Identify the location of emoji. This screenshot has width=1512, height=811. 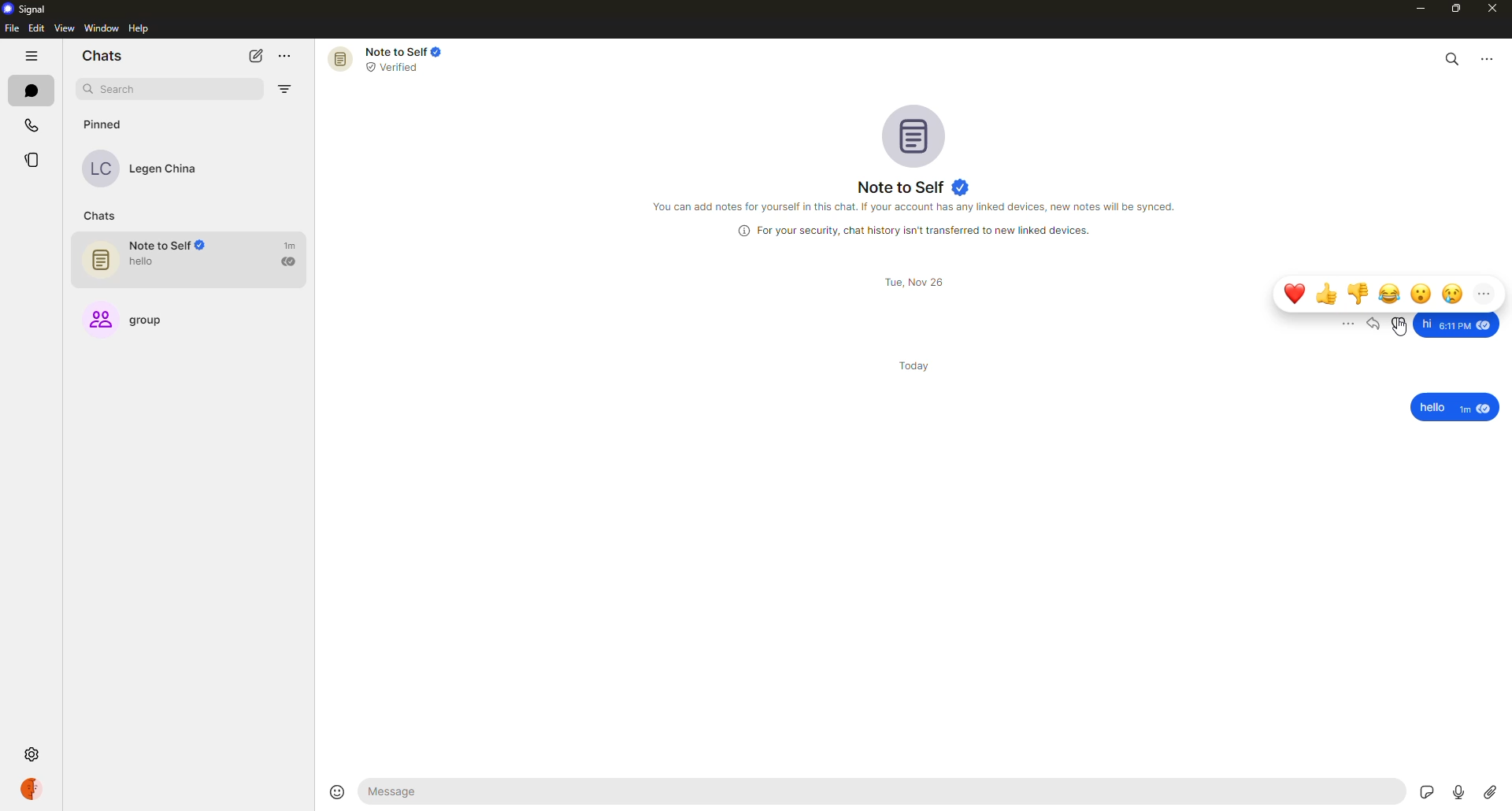
(338, 791).